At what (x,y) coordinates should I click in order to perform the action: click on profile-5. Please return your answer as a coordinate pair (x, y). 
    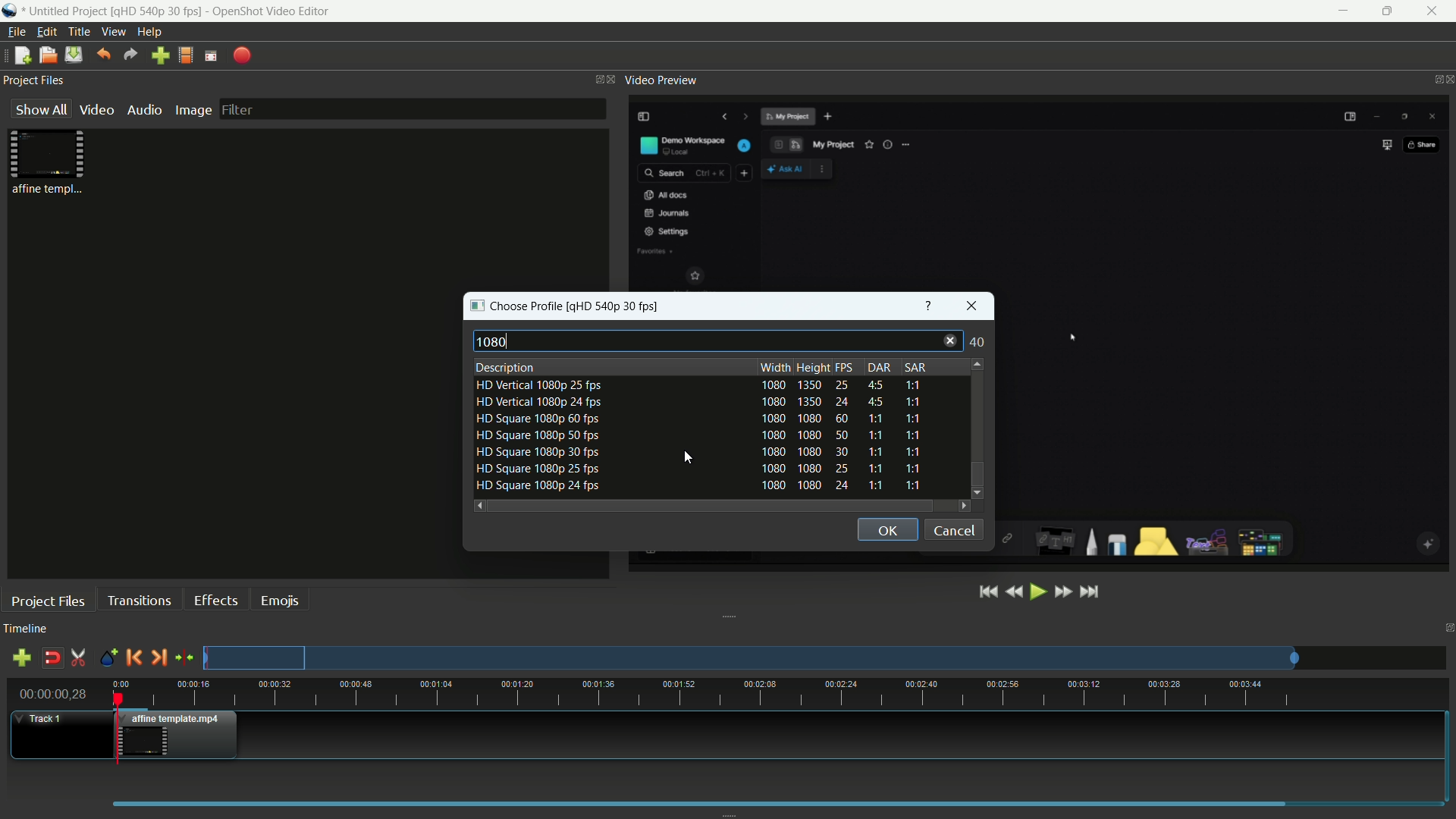
    Looking at the image, I should click on (698, 453).